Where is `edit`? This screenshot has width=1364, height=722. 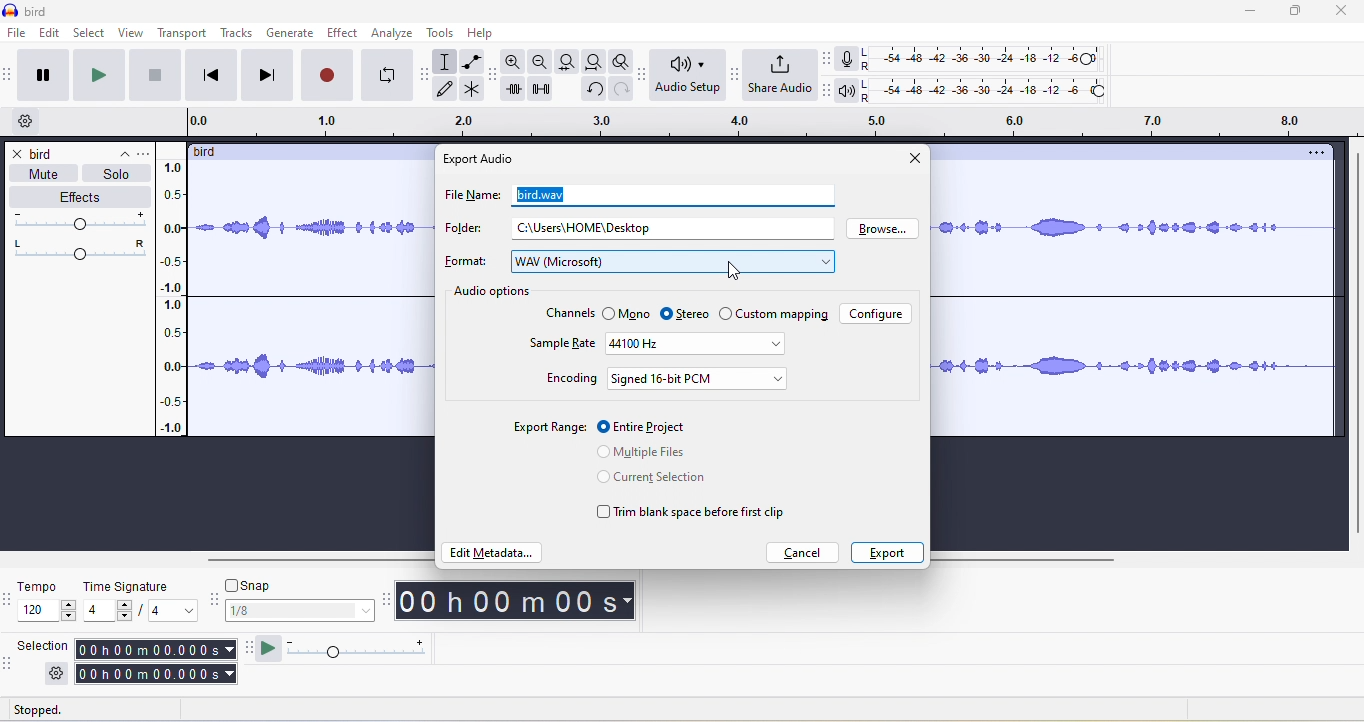 edit is located at coordinates (51, 34).